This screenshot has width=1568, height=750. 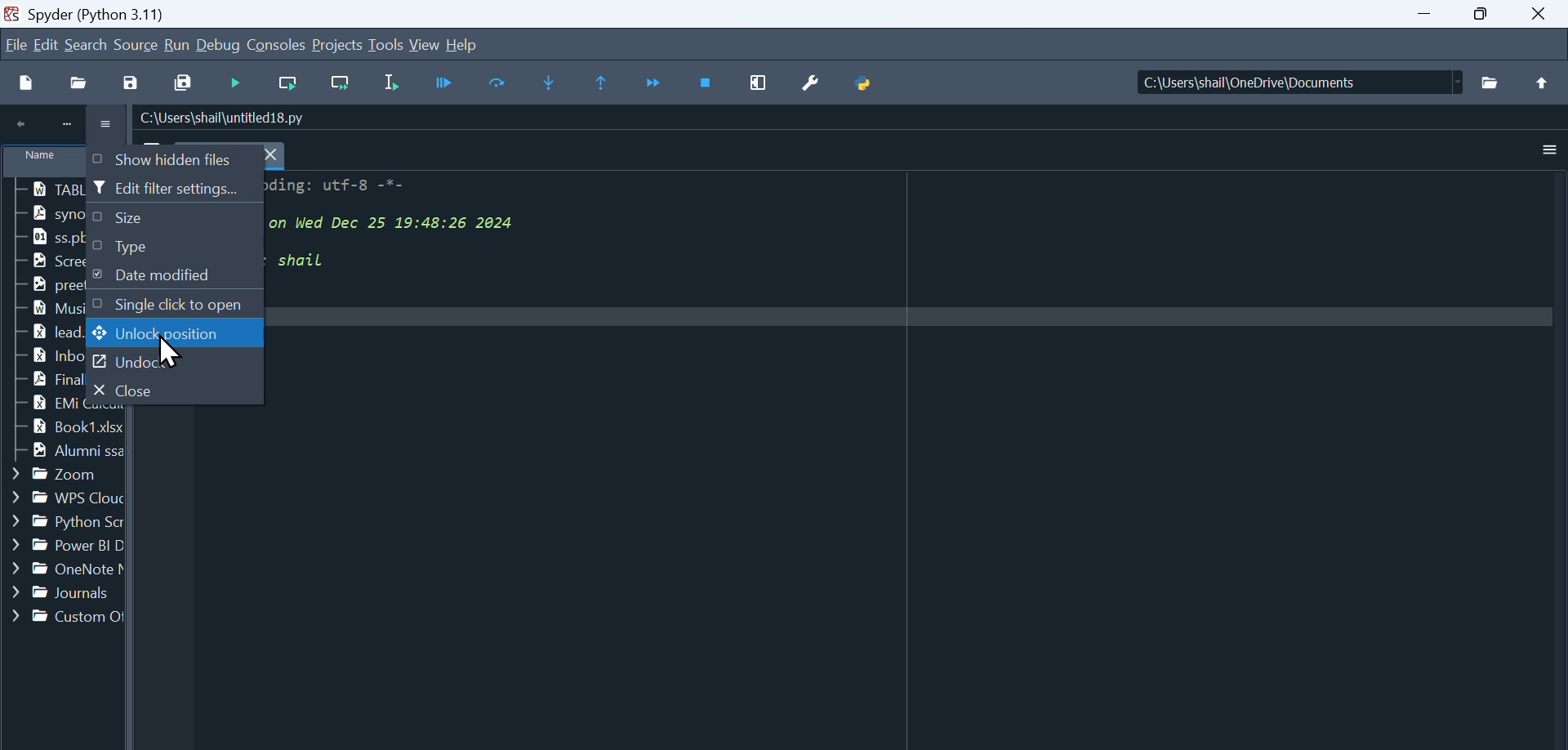 What do you see at coordinates (604, 83) in the screenshot?
I see `Execute until same function returns` at bounding box center [604, 83].